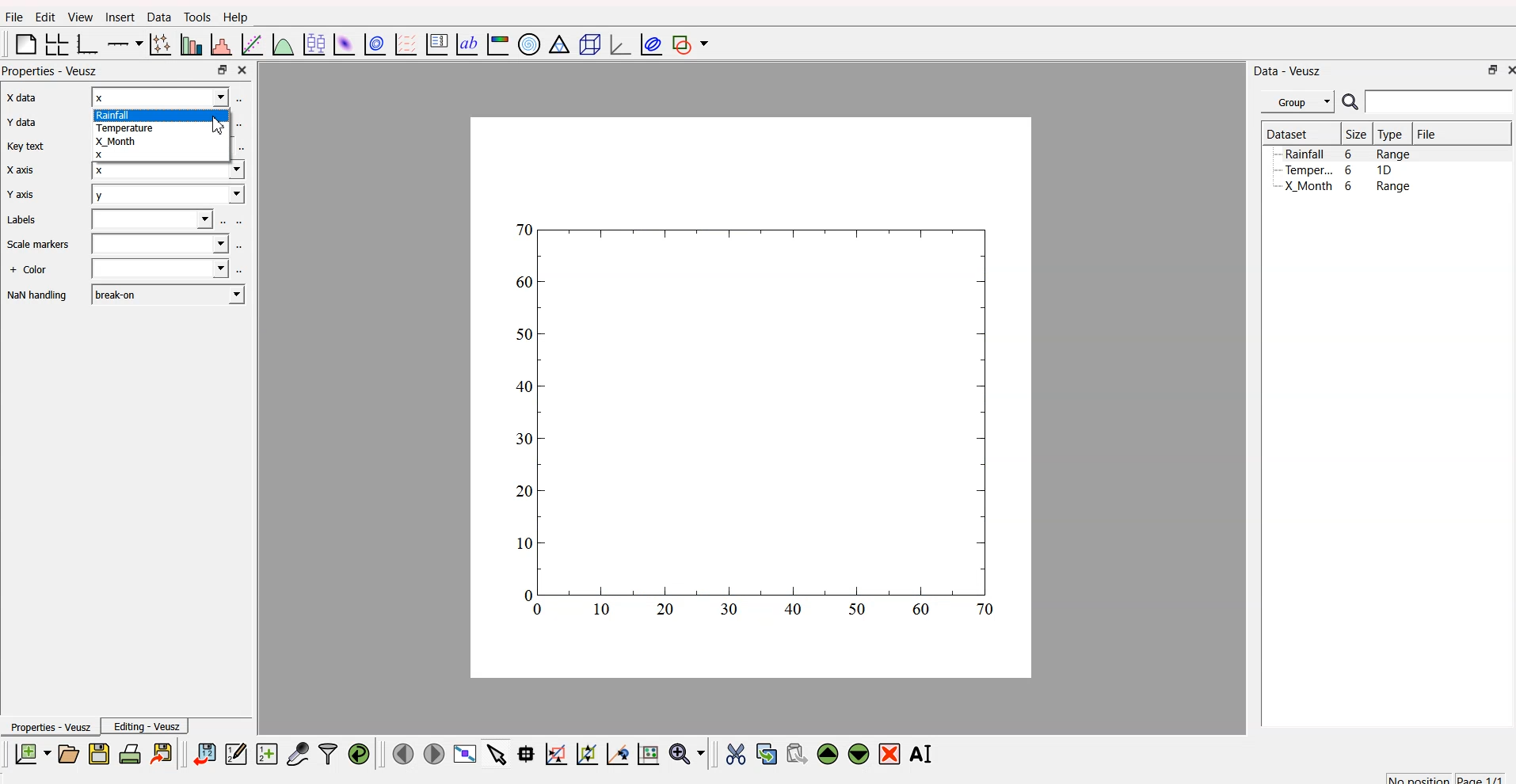 The image size is (1516, 784). I want to click on Y axis, so click(20, 196).